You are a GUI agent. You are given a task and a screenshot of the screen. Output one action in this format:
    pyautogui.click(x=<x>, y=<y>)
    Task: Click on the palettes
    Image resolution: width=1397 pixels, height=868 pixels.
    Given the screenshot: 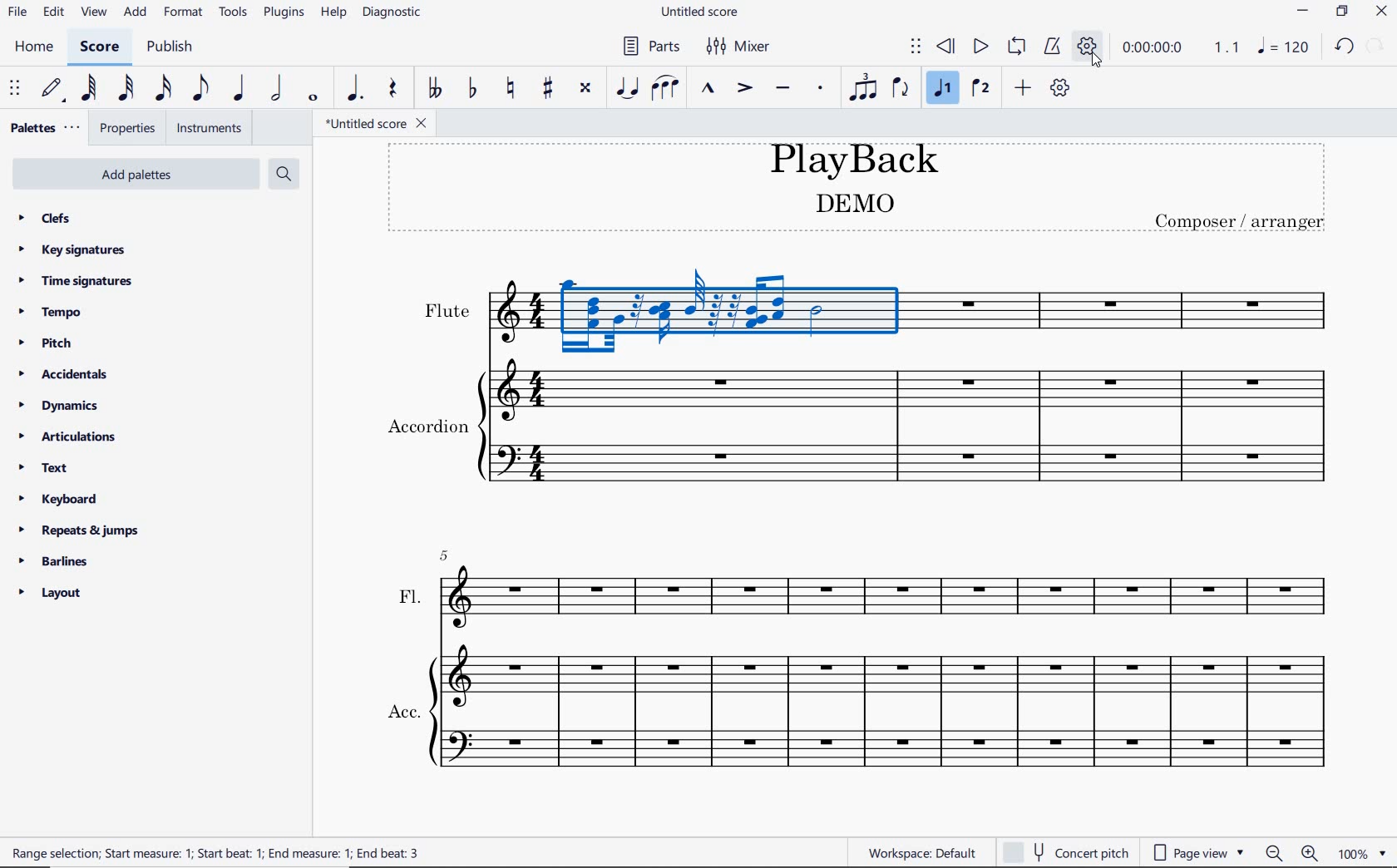 What is the action you would take?
    pyautogui.click(x=47, y=128)
    